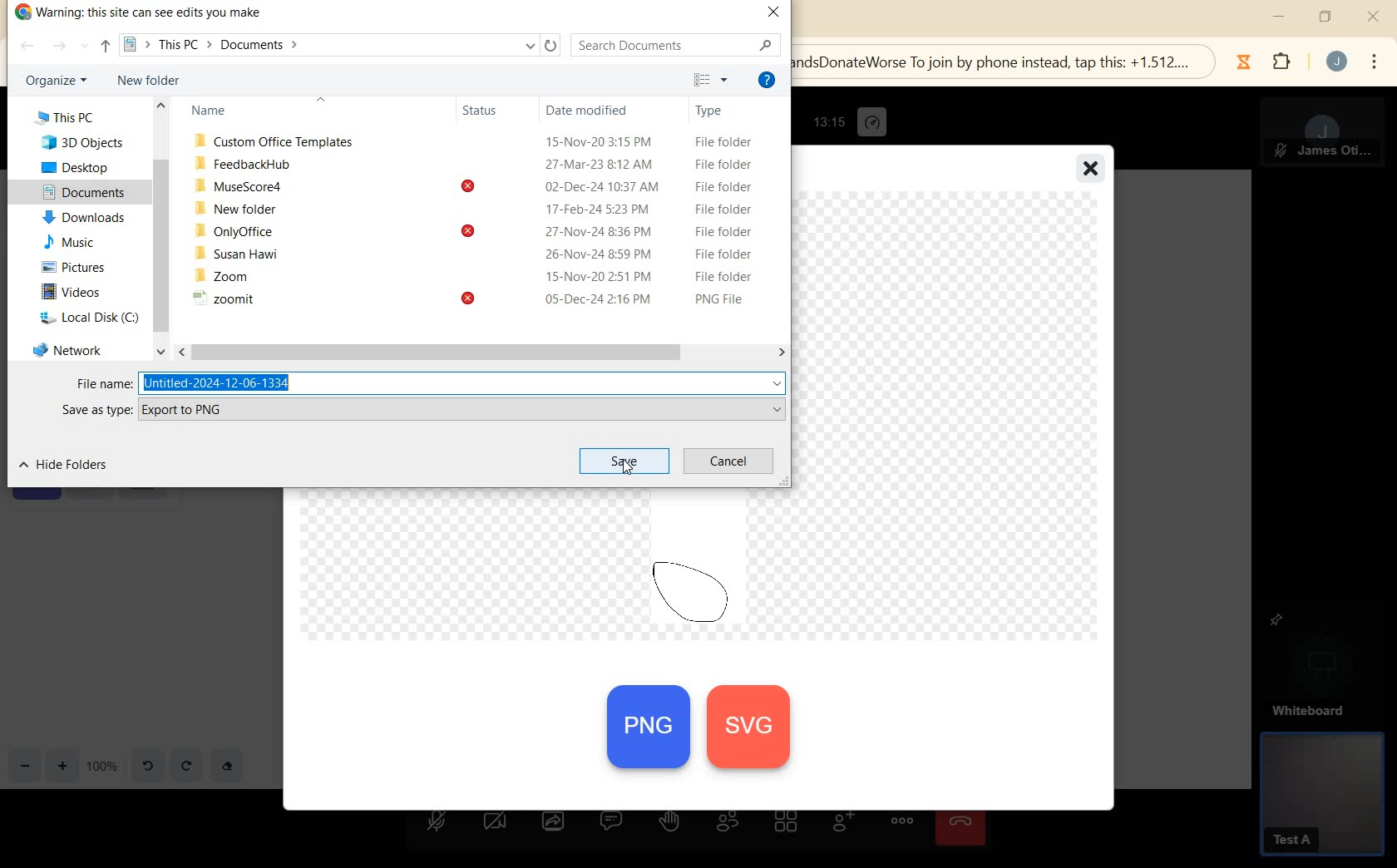 This screenshot has width=1397, height=868. What do you see at coordinates (104, 47) in the screenshot?
I see `UP` at bounding box center [104, 47].